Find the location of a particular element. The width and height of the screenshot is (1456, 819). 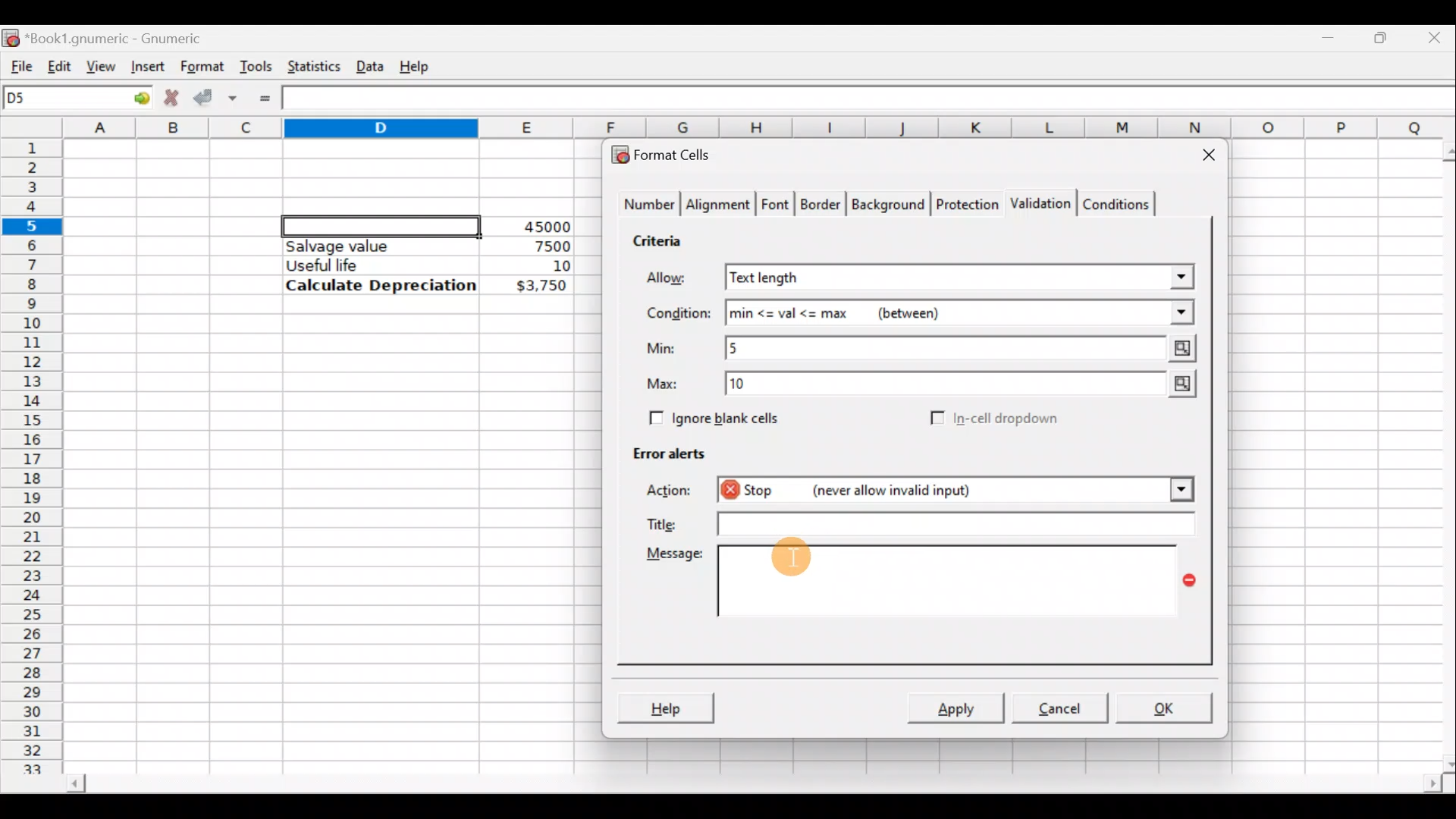

Font is located at coordinates (777, 206).